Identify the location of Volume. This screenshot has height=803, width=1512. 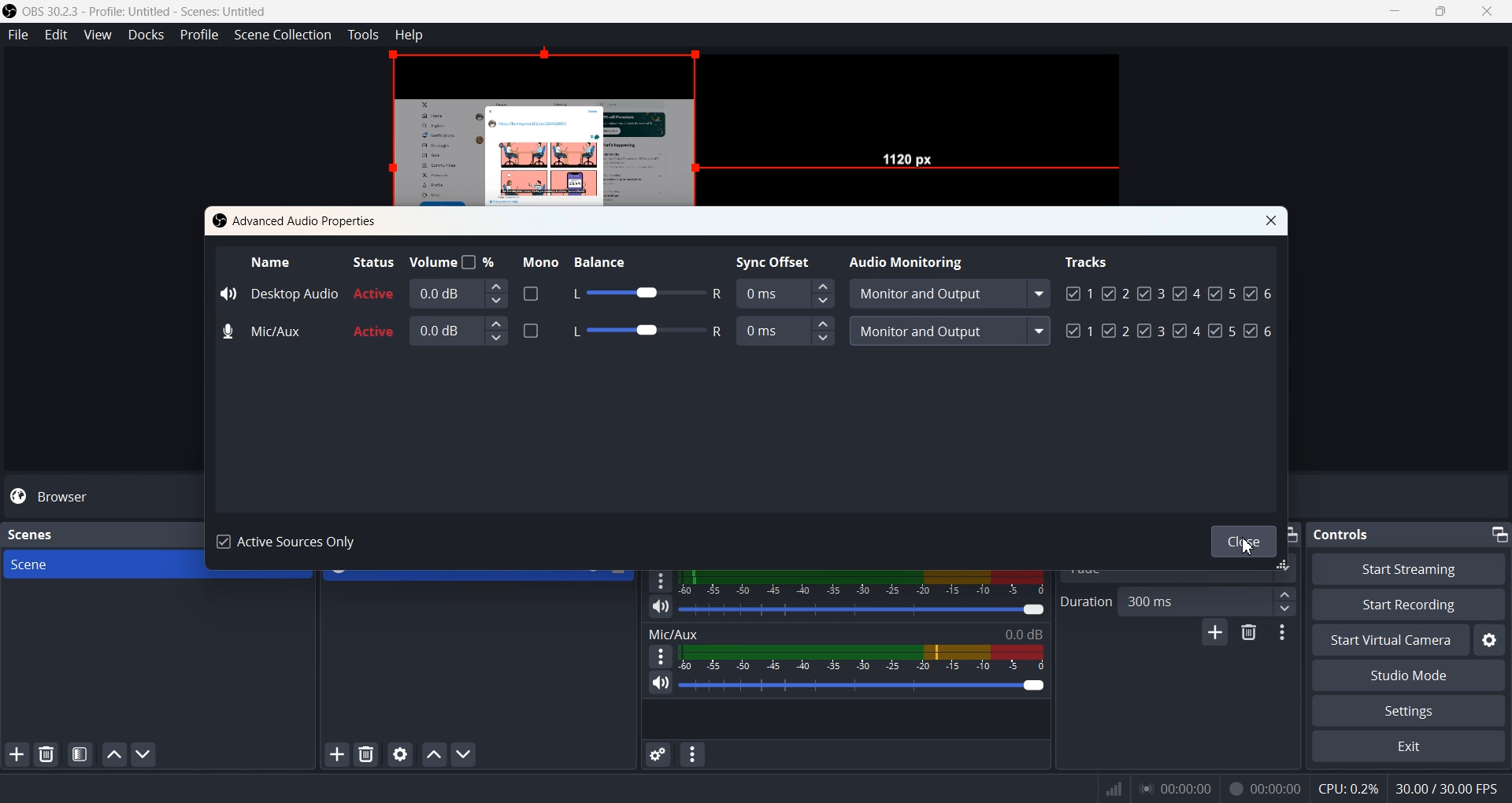
(454, 261).